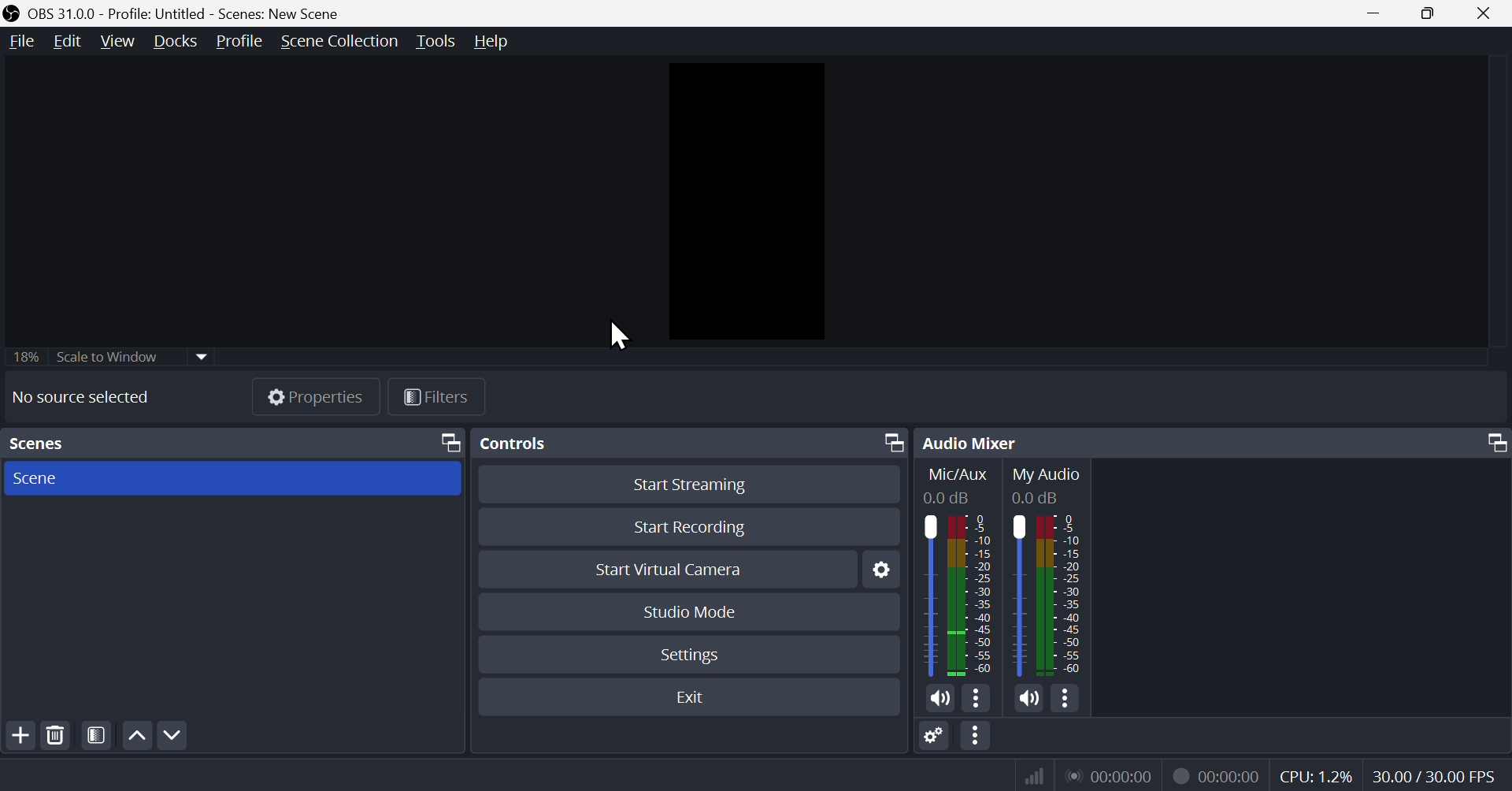 This screenshot has height=791, width=1512. Describe the element at coordinates (66, 41) in the screenshot. I see `Edit` at that location.